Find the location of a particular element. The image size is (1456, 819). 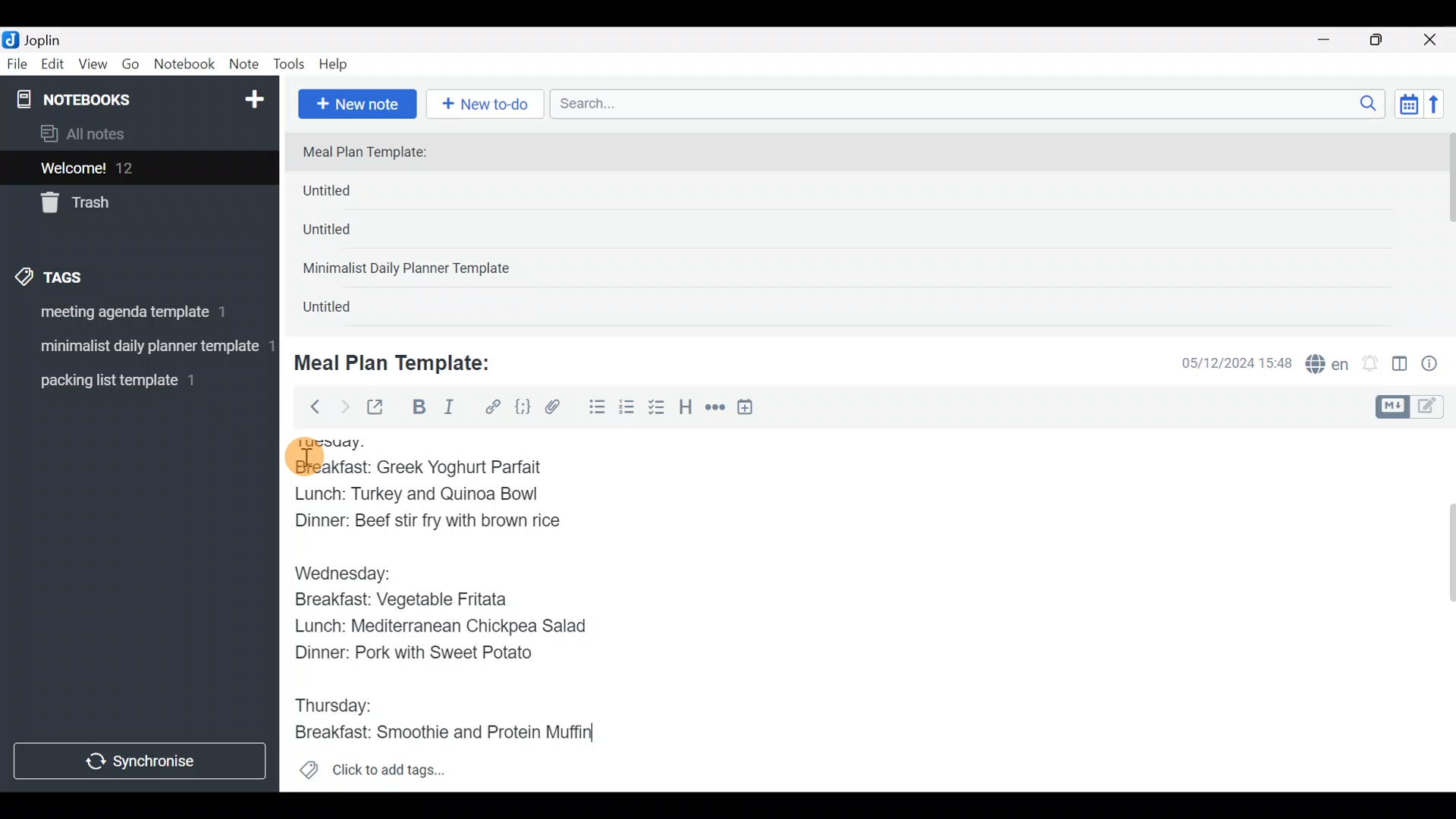

Set alarm is located at coordinates (1371, 365).